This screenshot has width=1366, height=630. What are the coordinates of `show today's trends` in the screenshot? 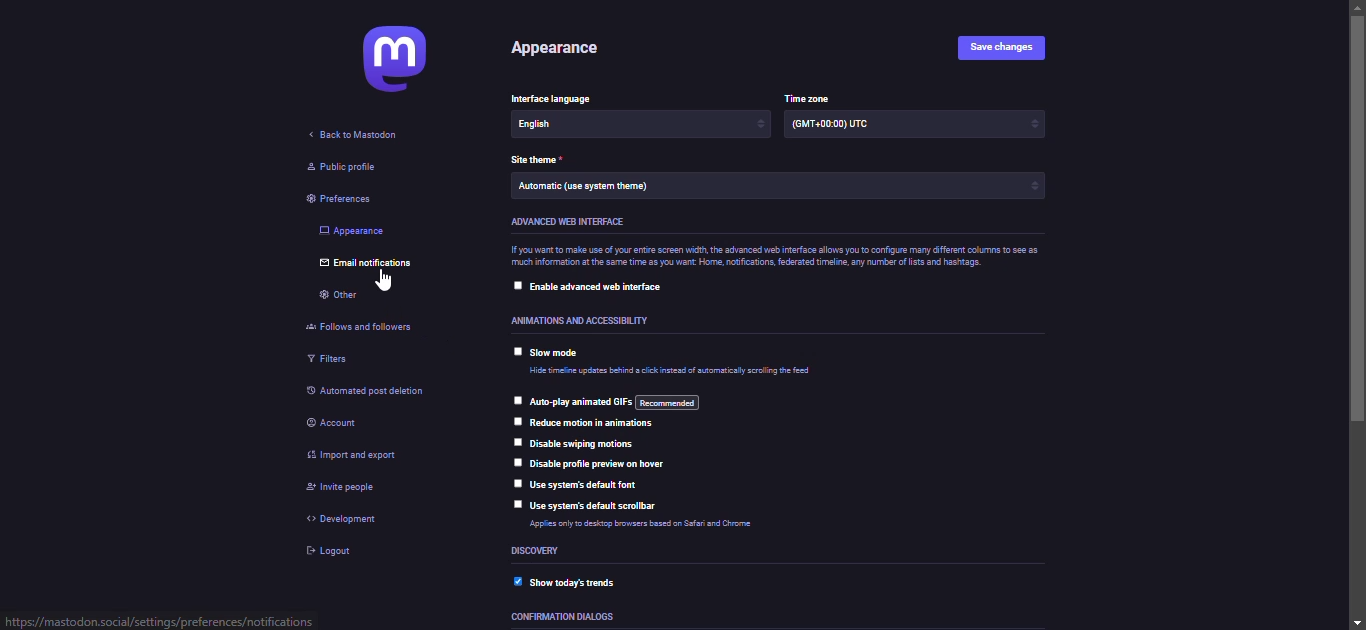 It's located at (585, 580).